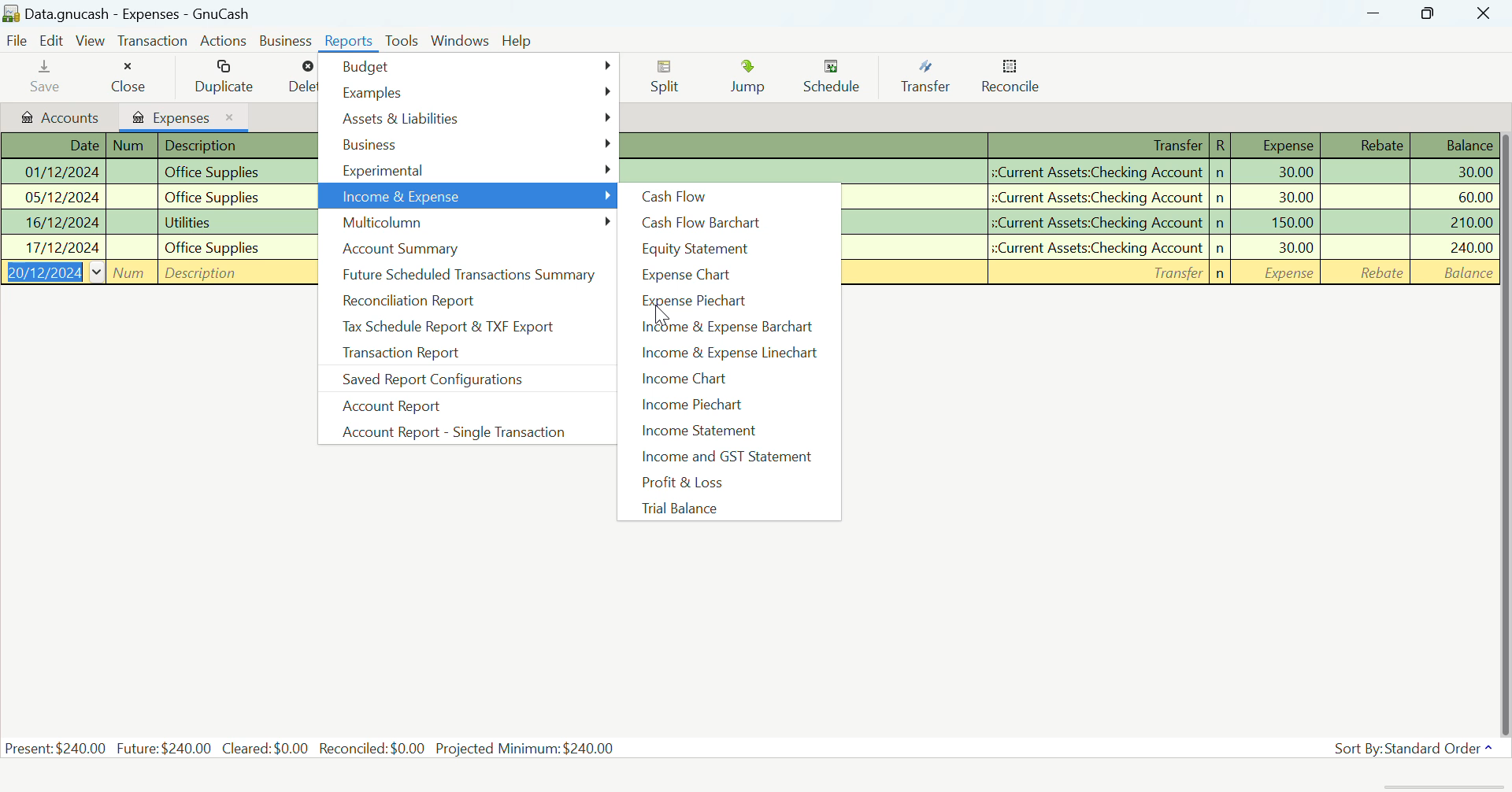 The width and height of the screenshot is (1512, 792). Describe the element at coordinates (465, 383) in the screenshot. I see `Saved Report Configurations` at that location.